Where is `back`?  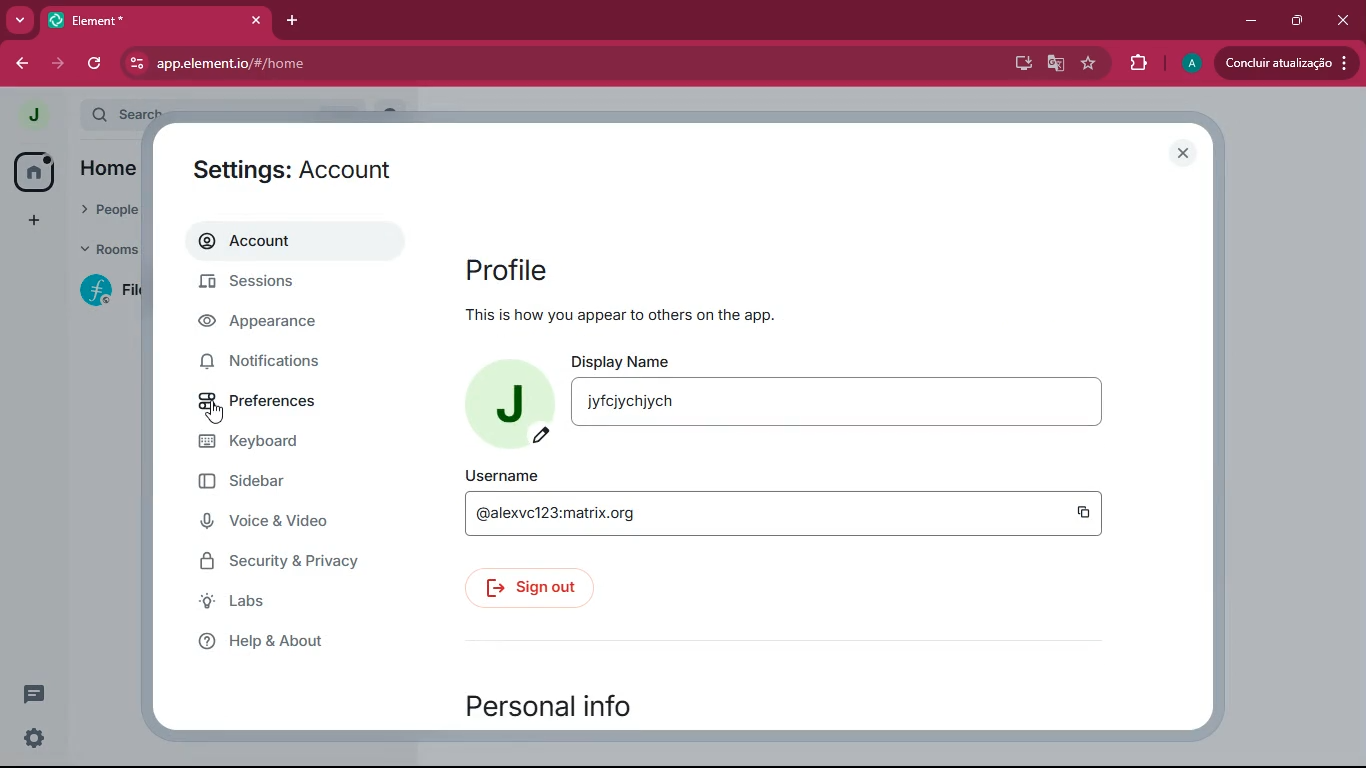 back is located at coordinates (16, 65).